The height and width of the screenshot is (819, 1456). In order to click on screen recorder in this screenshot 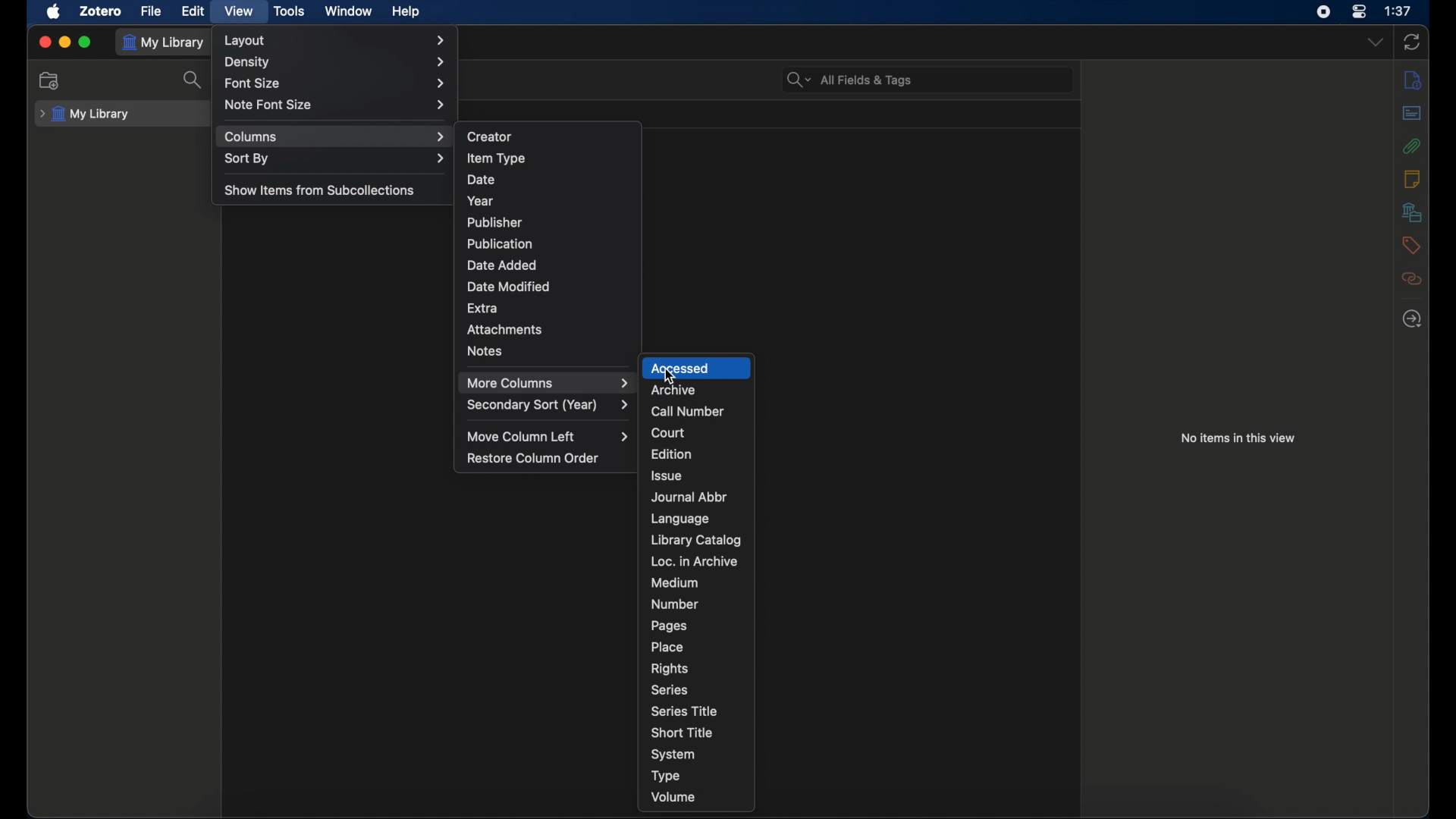, I will do `click(1323, 11)`.